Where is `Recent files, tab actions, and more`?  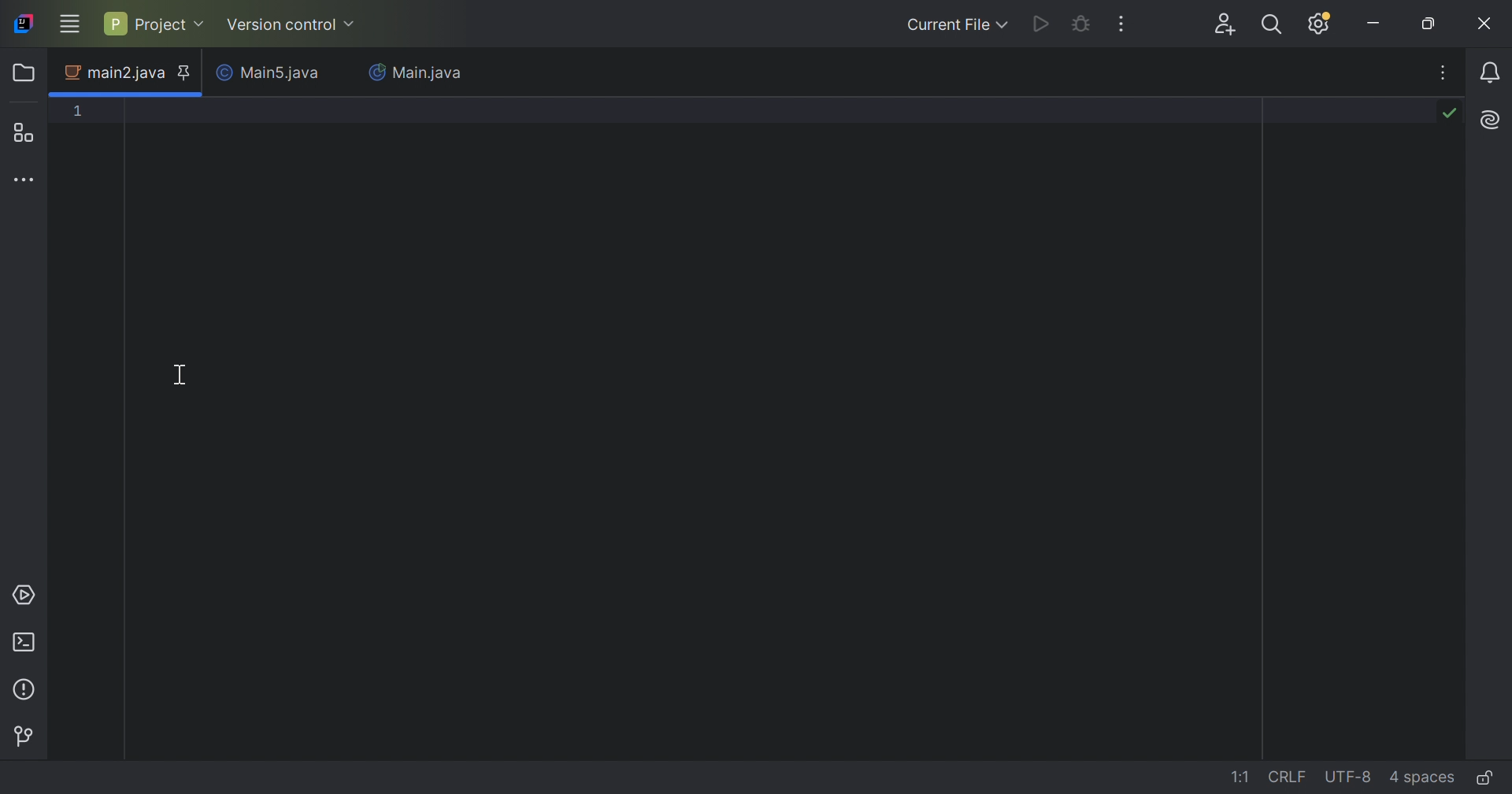
Recent files, tab actions, and more is located at coordinates (1445, 72).